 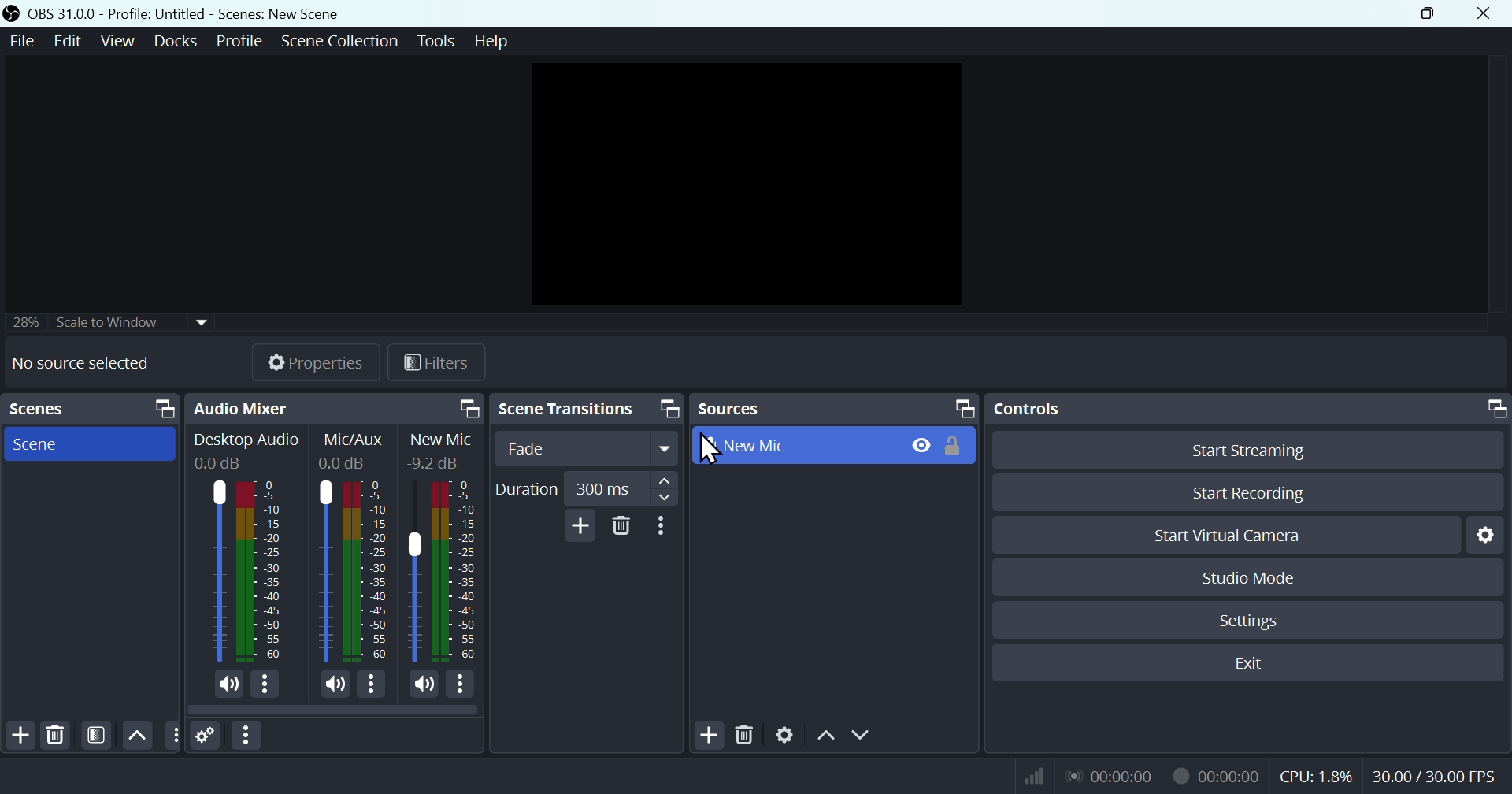 I want to click on Add, so click(x=17, y=734).